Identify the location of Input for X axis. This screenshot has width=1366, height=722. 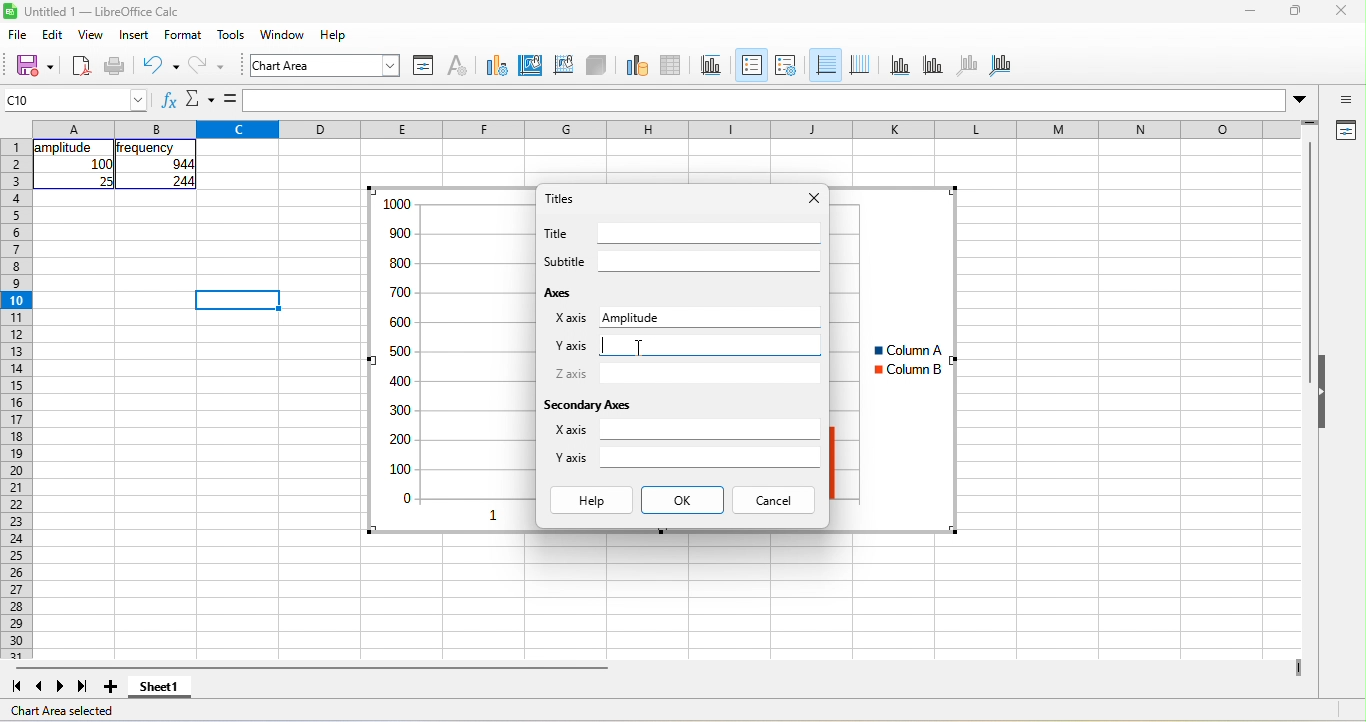
(742, 316).